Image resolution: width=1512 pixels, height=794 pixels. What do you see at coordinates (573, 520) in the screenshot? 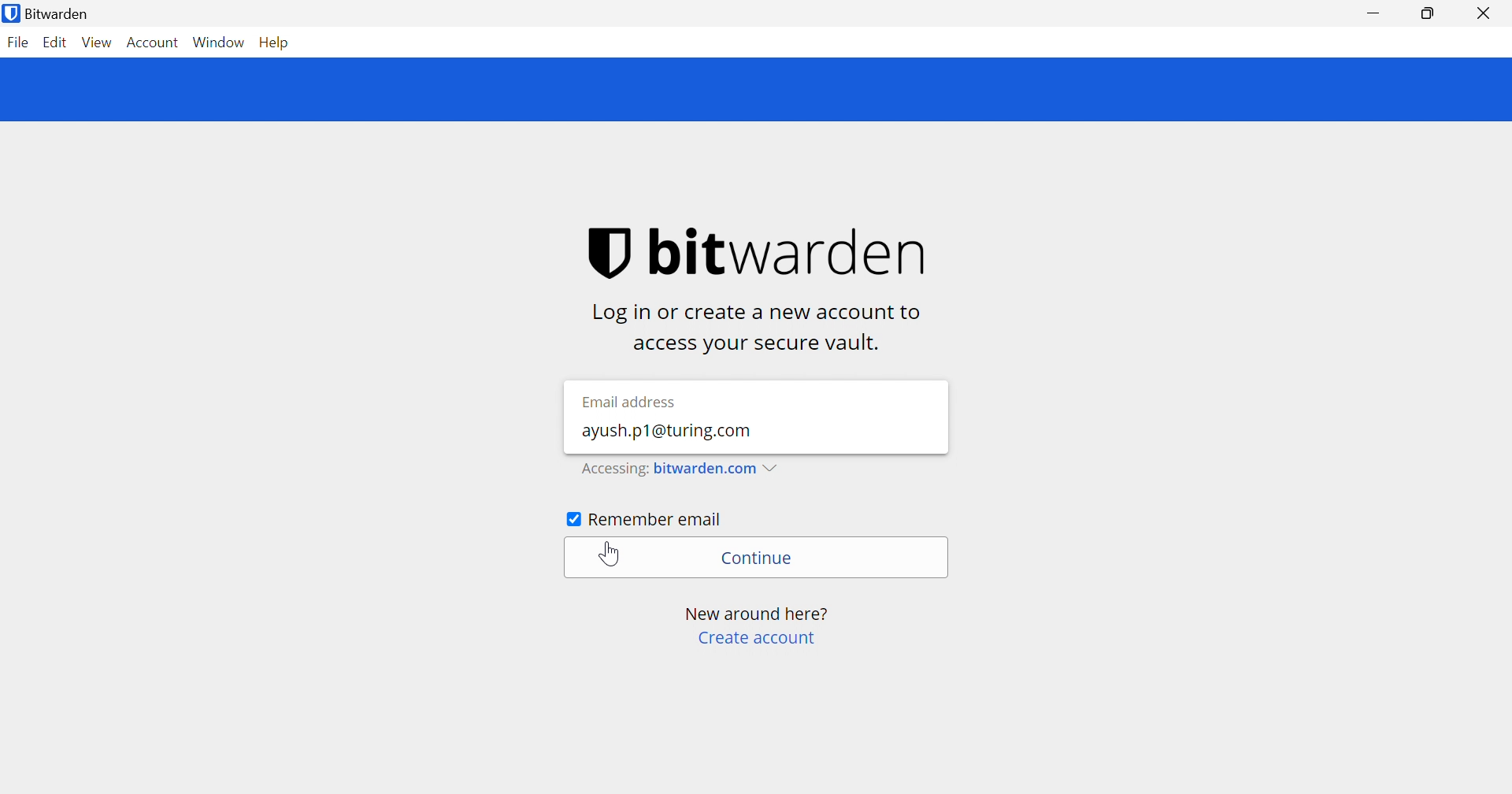
I see `Checkbox` at bounding box center [573, 520].